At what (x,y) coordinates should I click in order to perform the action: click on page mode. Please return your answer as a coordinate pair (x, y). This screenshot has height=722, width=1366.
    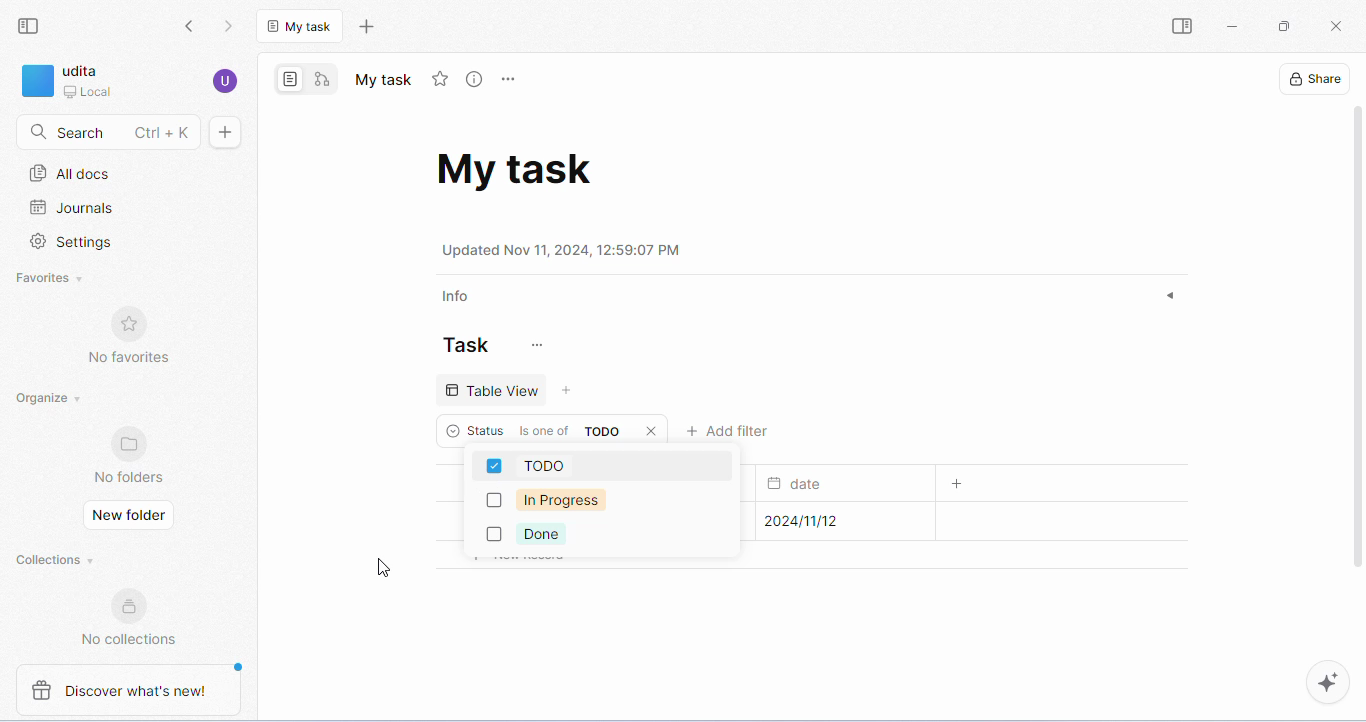
    Looking at the image, I should click on (291, 78).